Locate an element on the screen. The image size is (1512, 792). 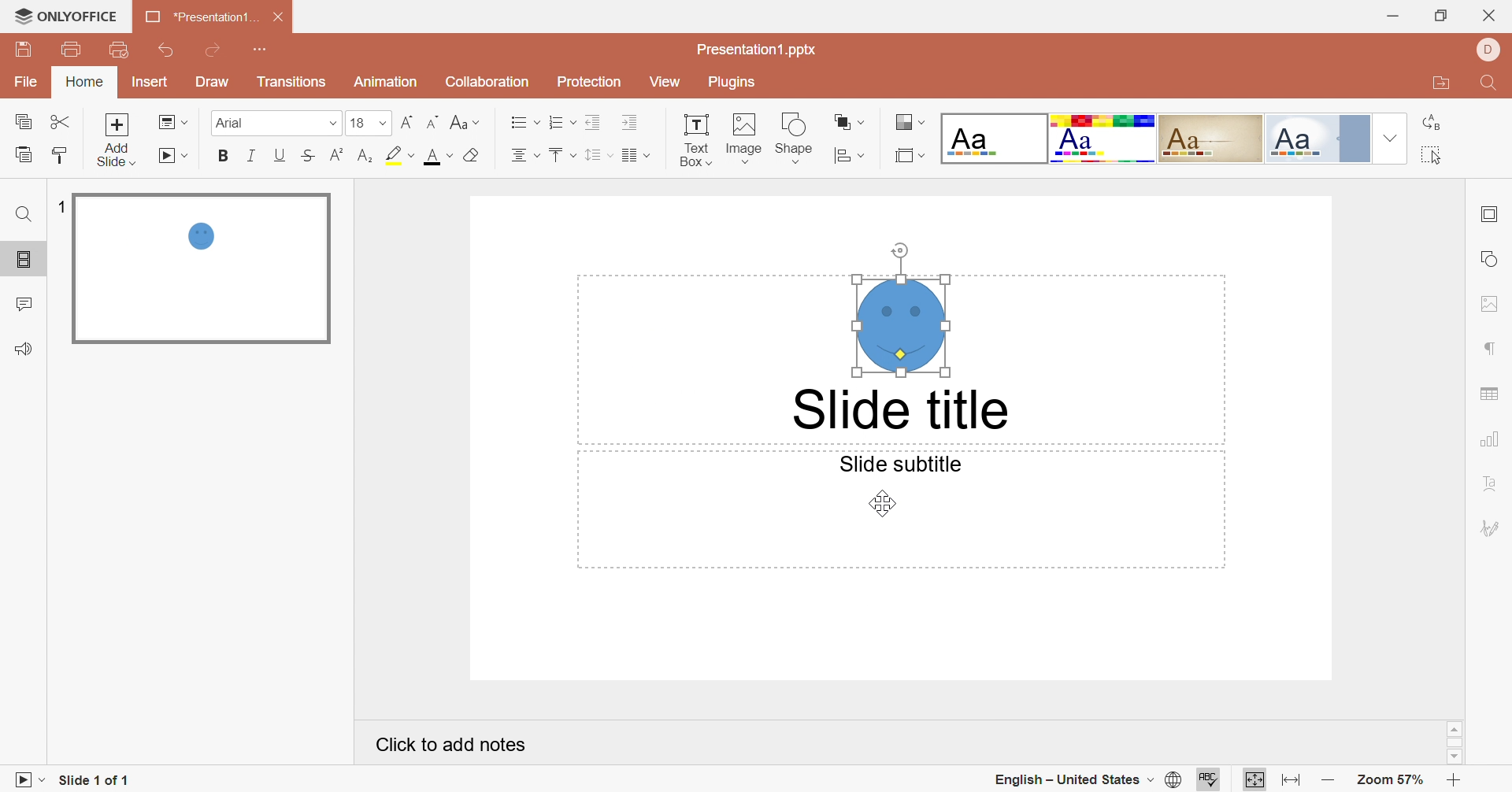
Slide 1 of 1 is located at coordinates (97, 779).